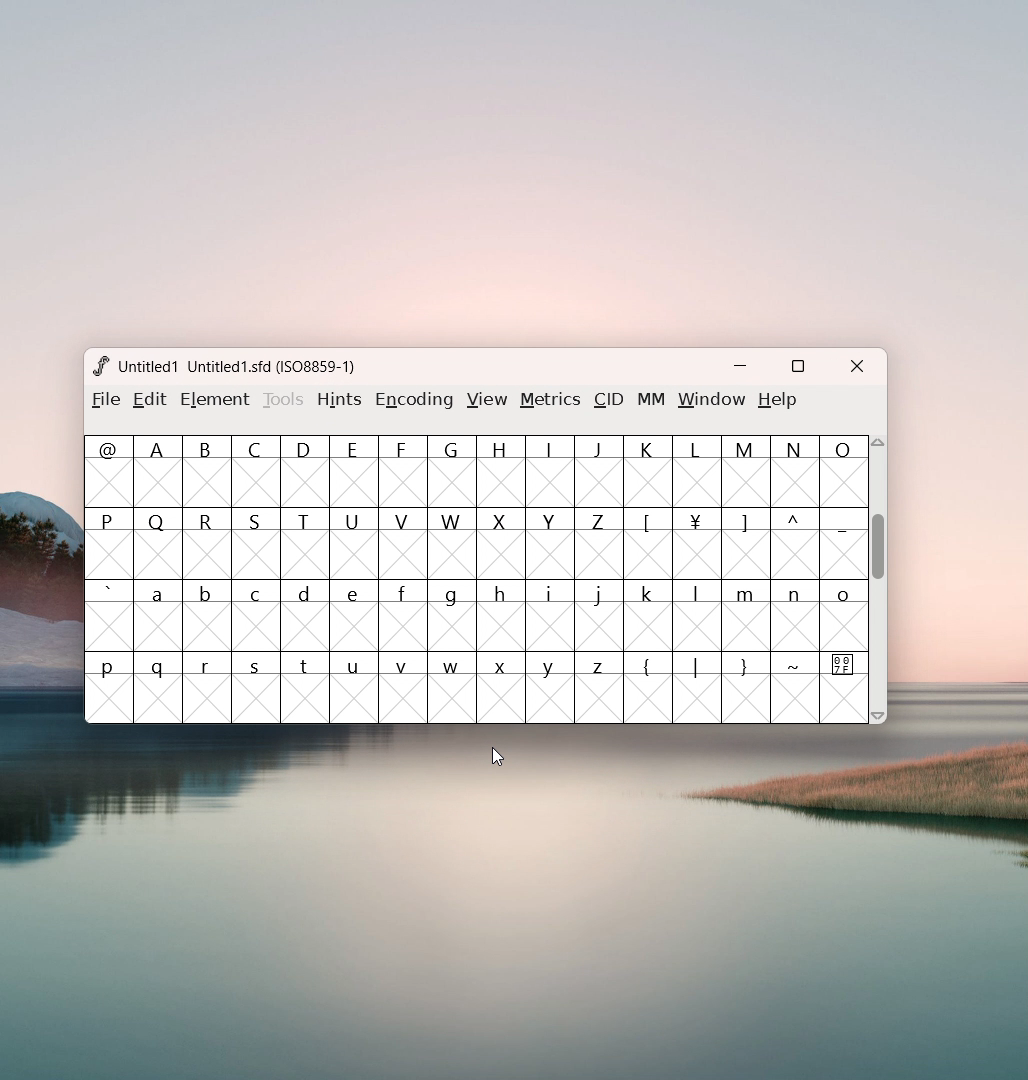 The height and width of the screenshot is (1080, 1028). I want to click on k, so click(648, 617).